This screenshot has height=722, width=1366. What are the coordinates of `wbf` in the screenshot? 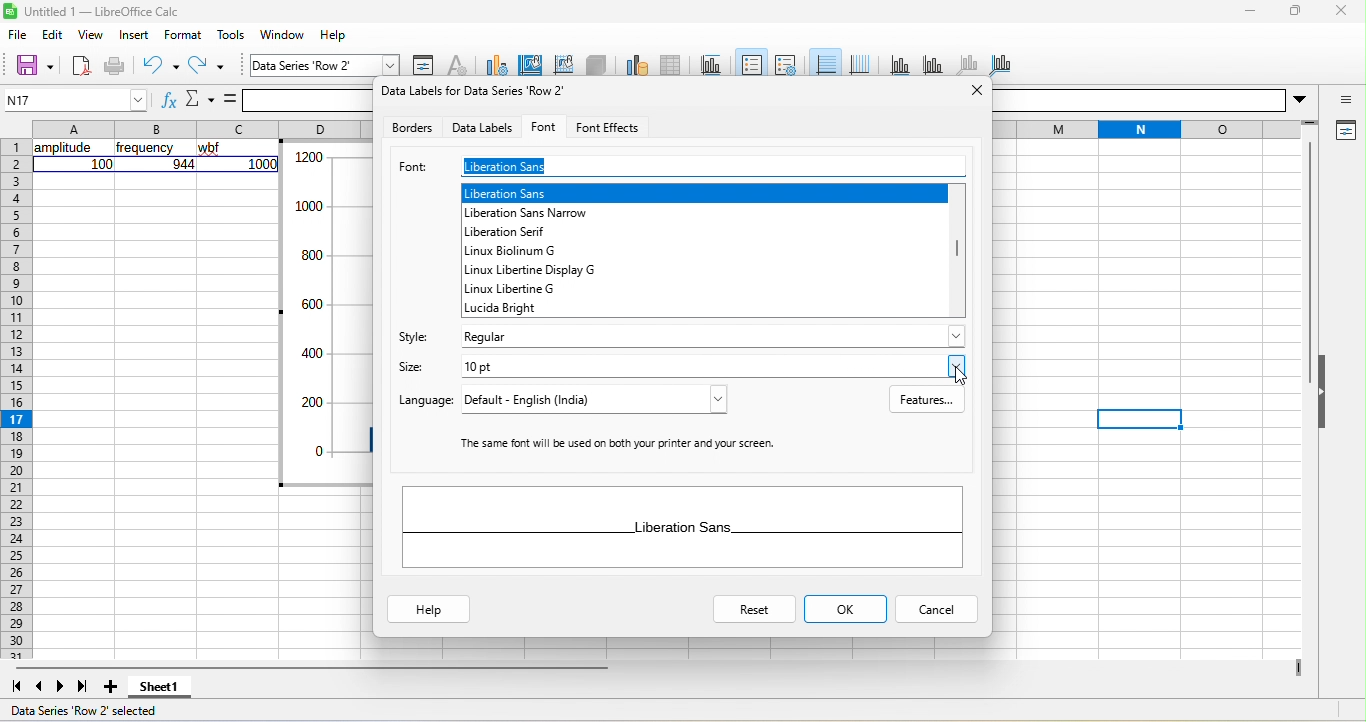 It's located at (214, 149).